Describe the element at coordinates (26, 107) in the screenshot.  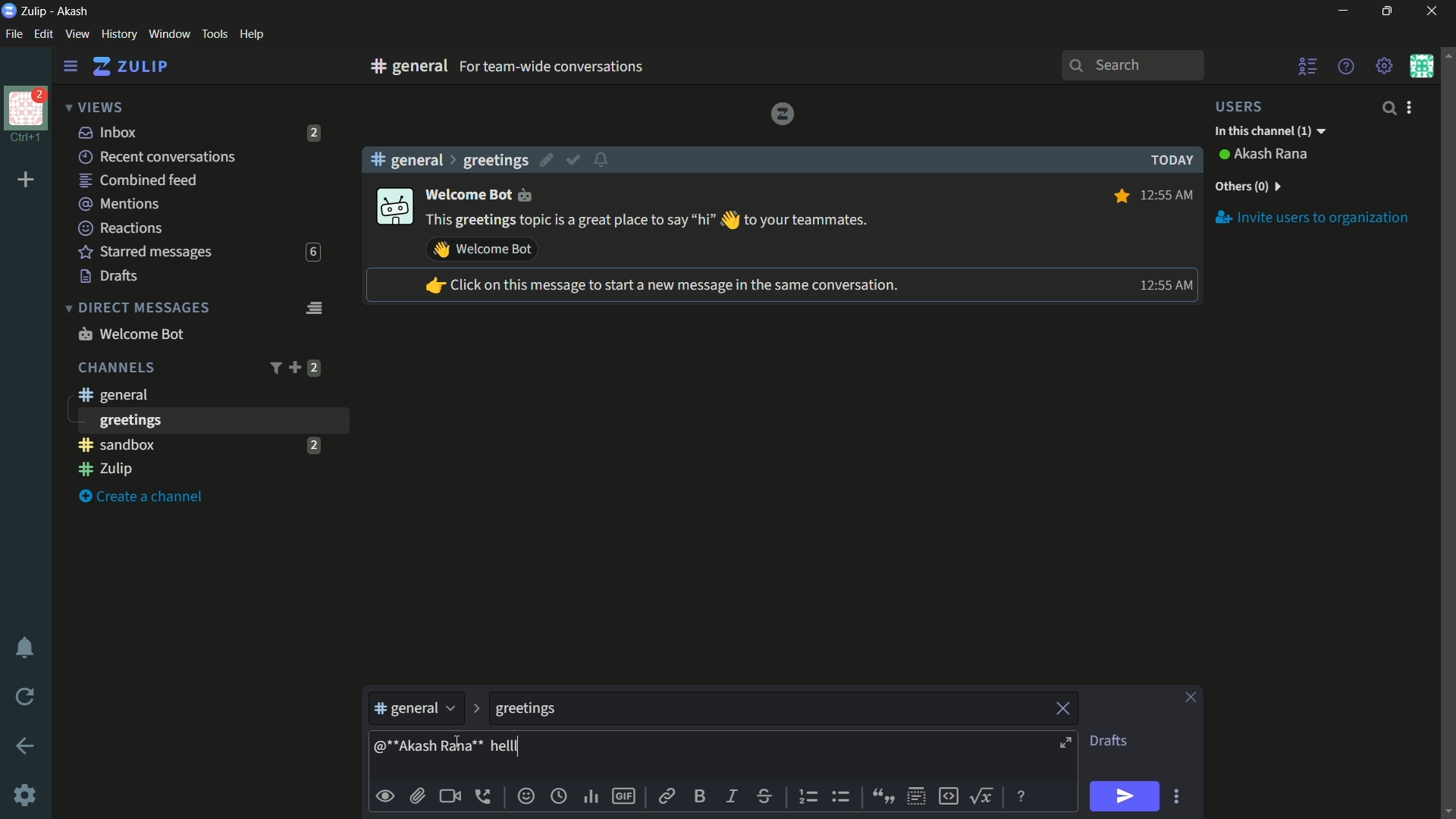
I see `profile` at that location.